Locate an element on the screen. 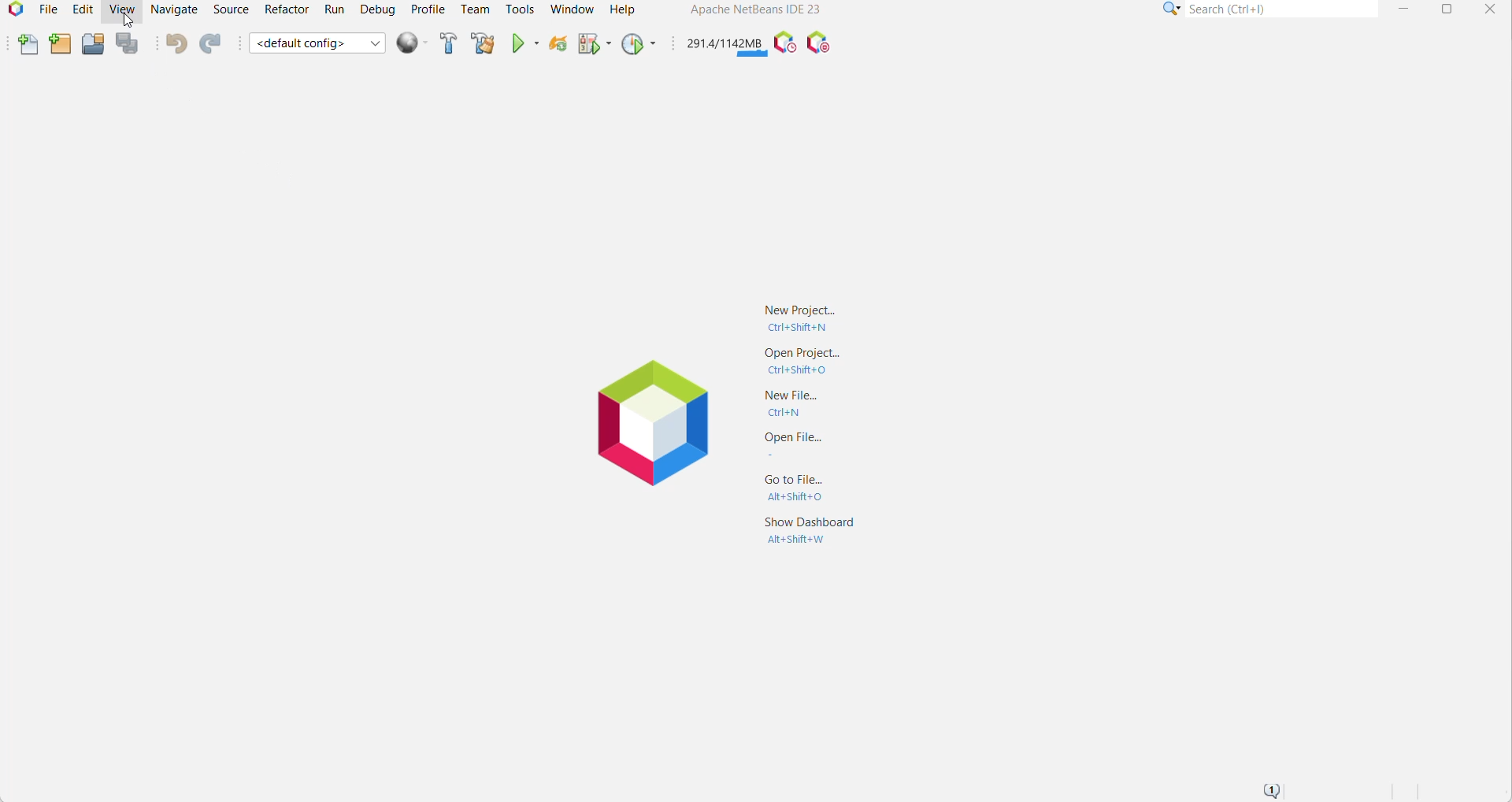 The image size is (1512, 802). Pointer Cursor is located at coordinates (127, 24).